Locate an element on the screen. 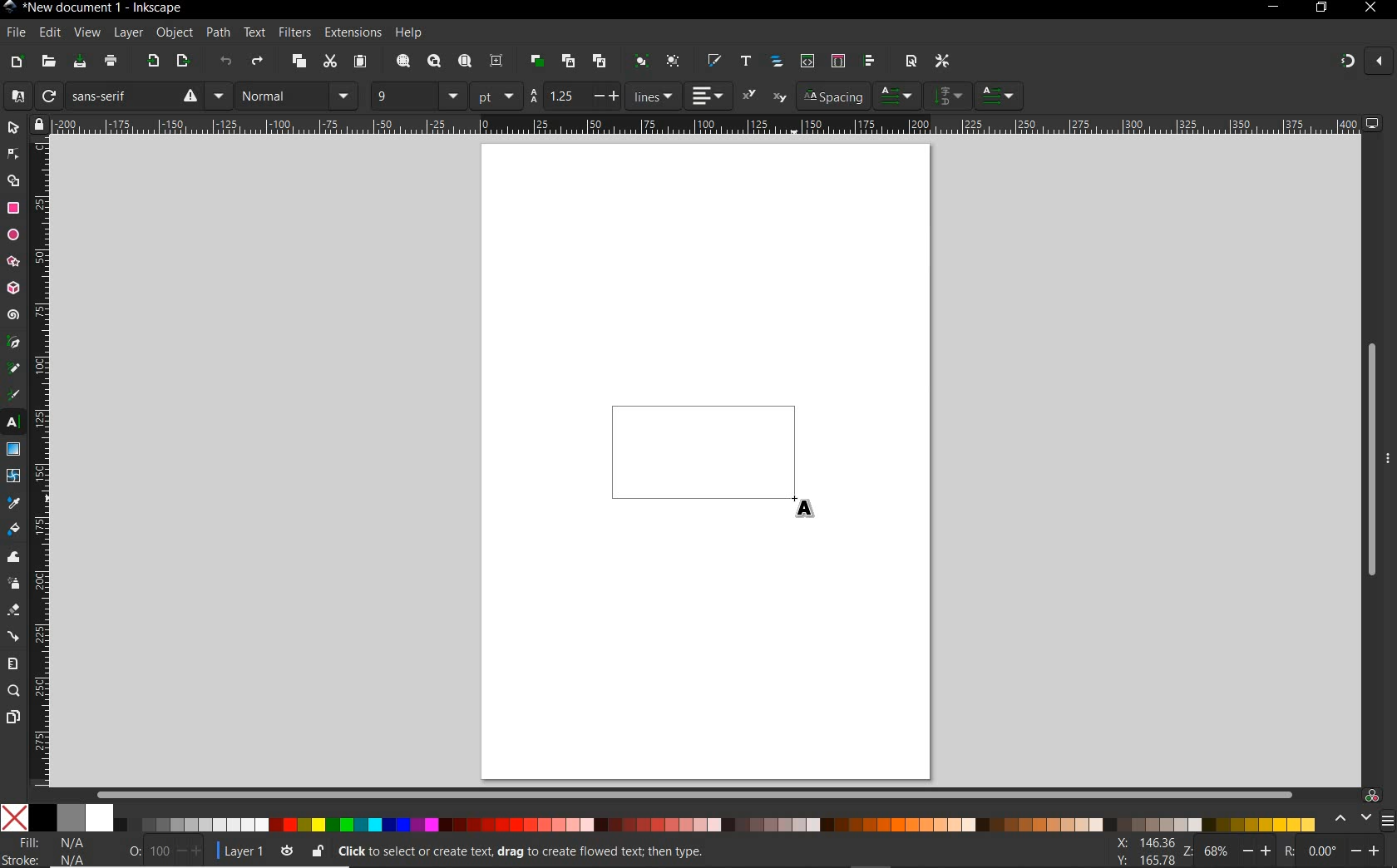  open selectors is located at coordinates (837, 61).